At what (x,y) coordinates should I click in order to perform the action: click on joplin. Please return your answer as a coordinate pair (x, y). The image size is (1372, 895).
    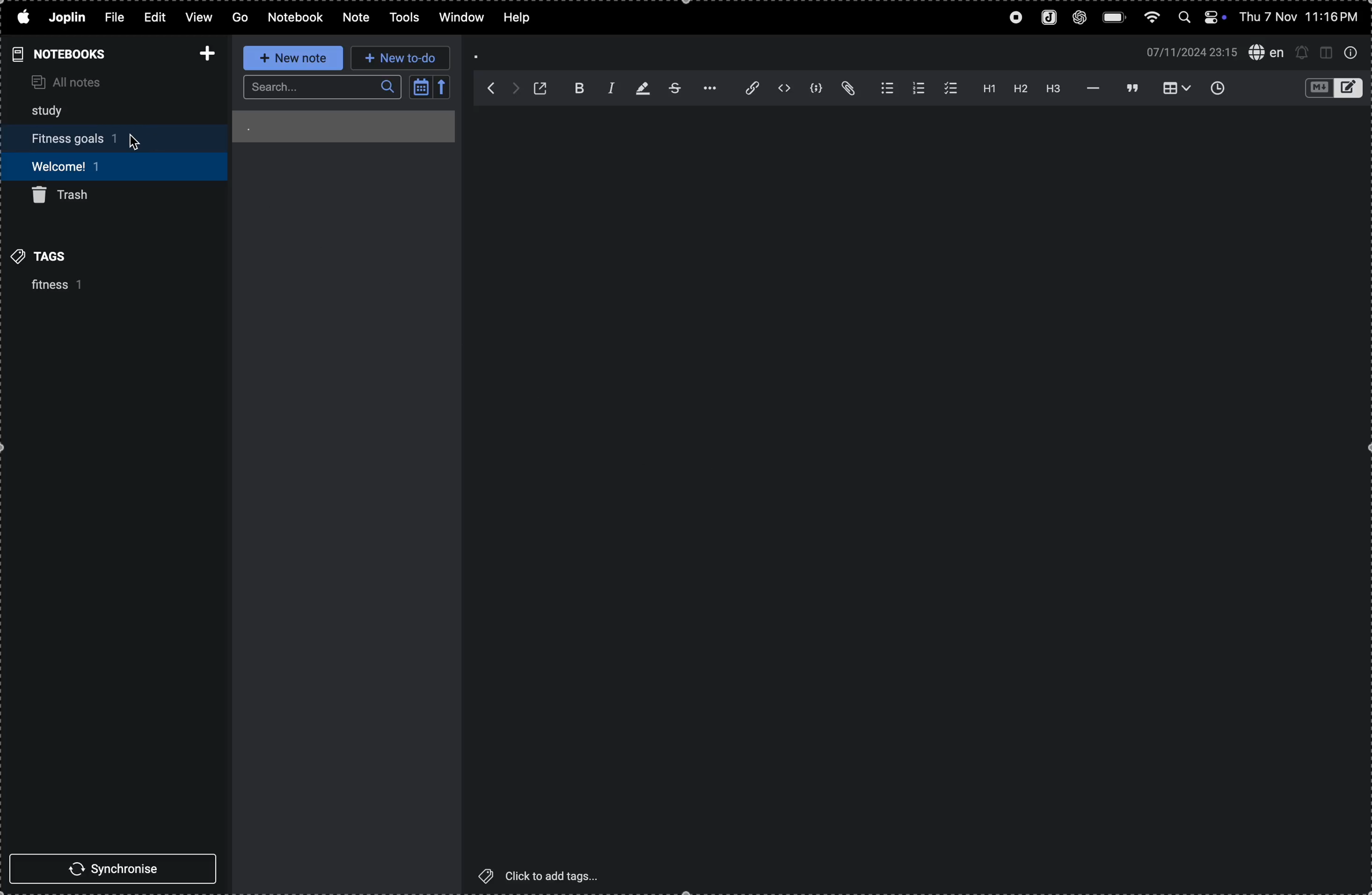
    Looking at the image, I should click on (1046, 17).